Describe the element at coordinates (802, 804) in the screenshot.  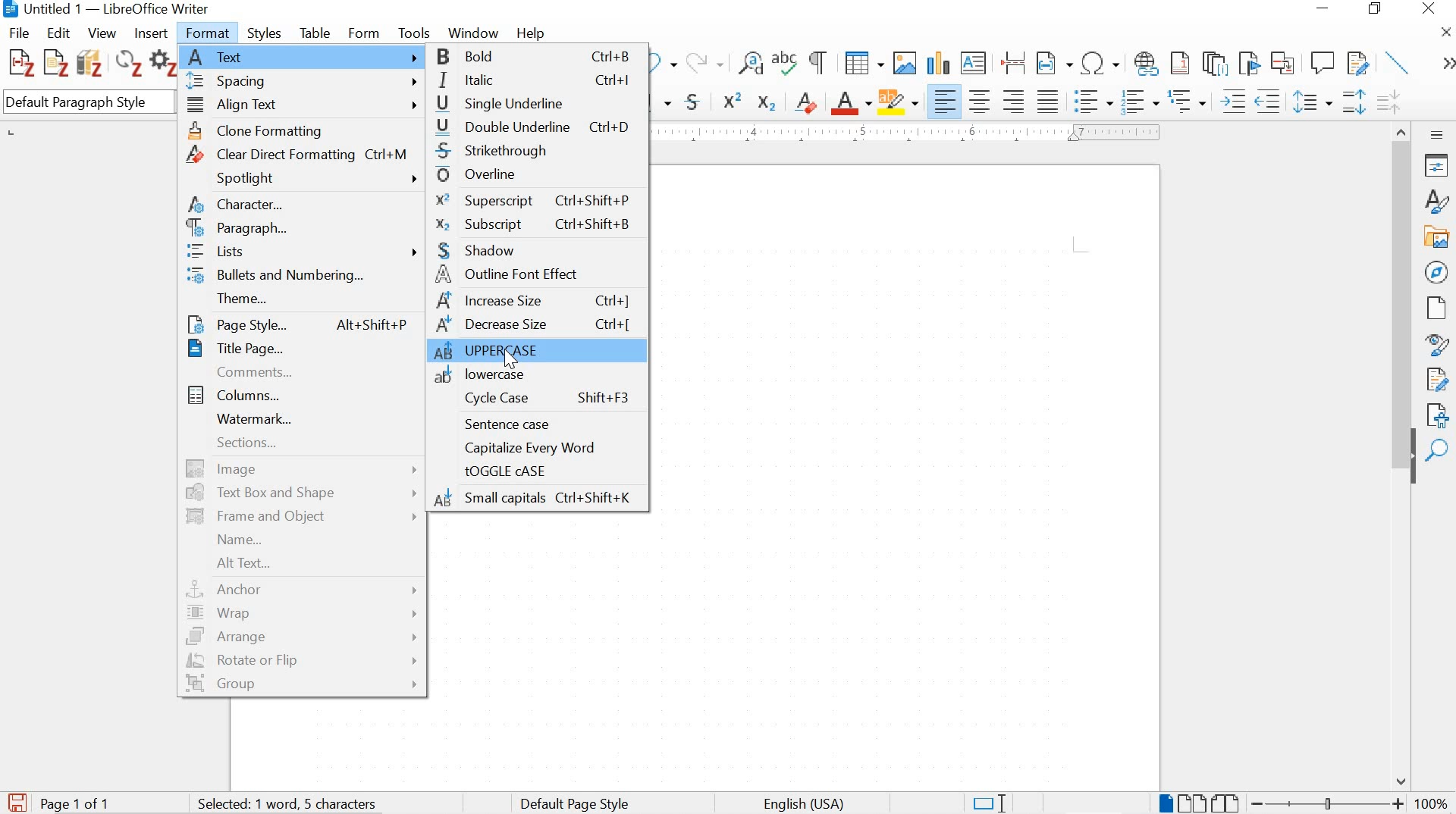
I see `text language` at that location.